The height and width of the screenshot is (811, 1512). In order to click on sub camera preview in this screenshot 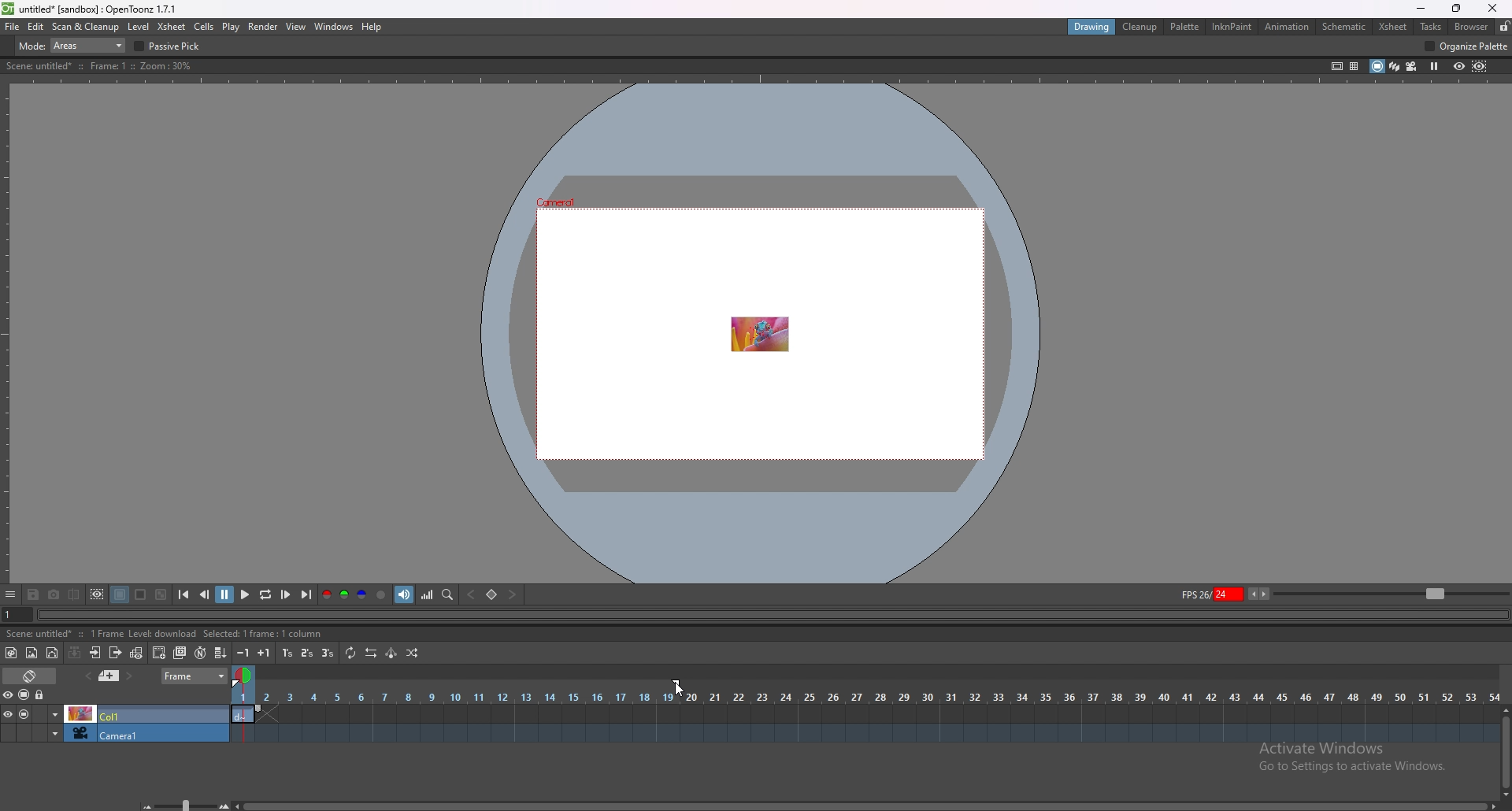, I will do `click(1480, 67)`.